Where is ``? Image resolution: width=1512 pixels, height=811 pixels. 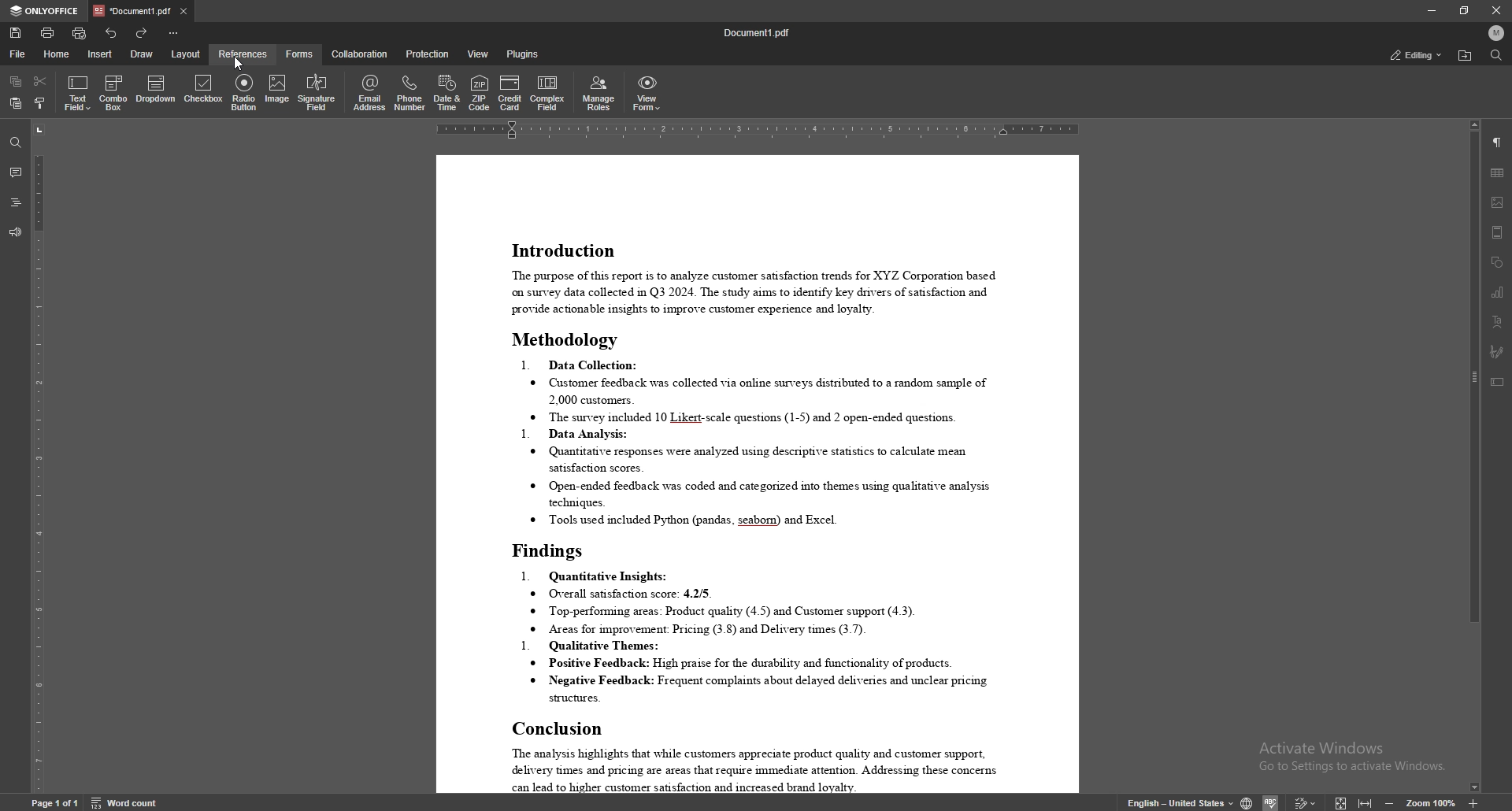  is located at coordinates (1303, 803).